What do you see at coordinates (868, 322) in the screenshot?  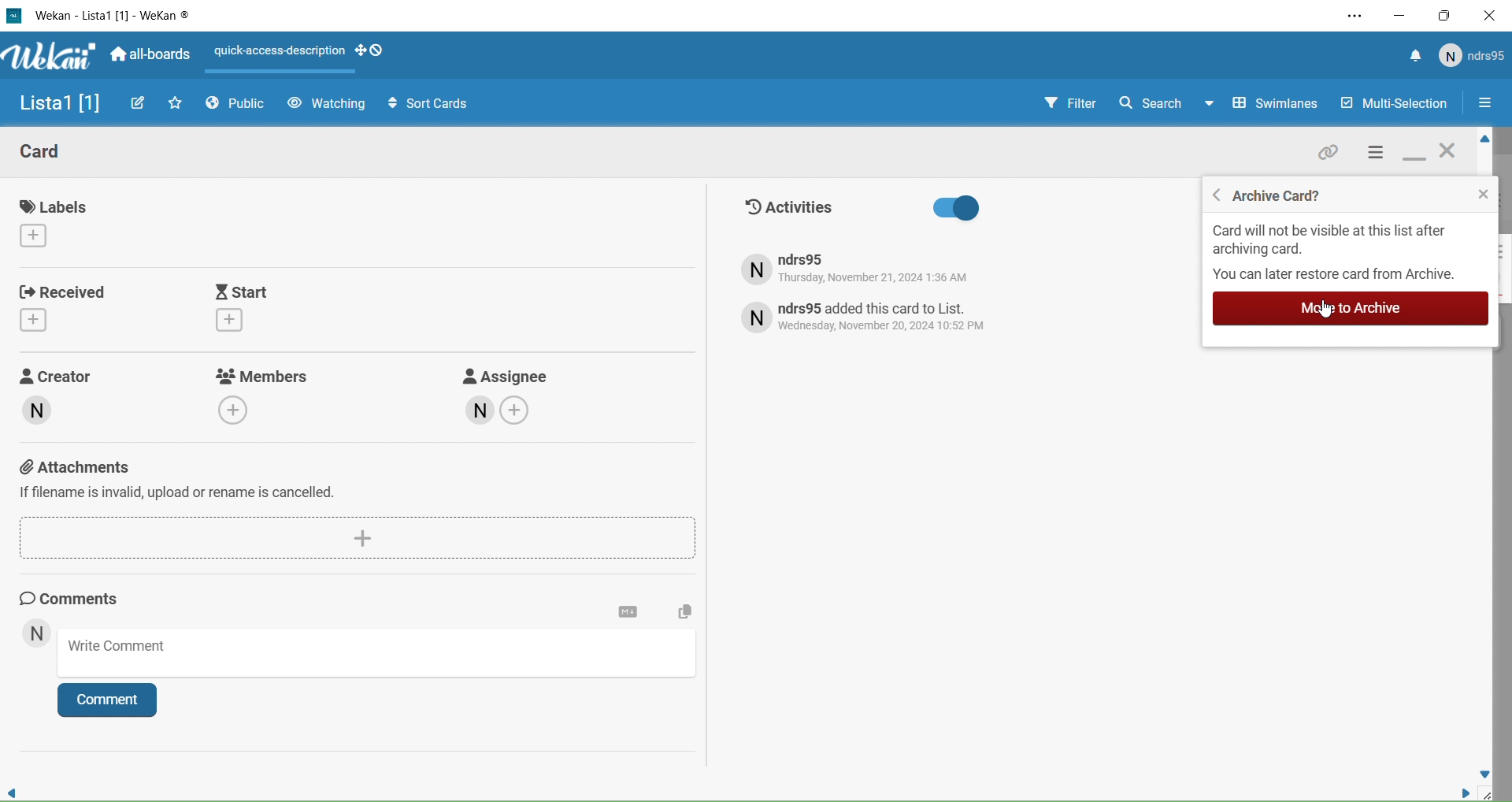 I see `activity` at bounding box center [868, 322].